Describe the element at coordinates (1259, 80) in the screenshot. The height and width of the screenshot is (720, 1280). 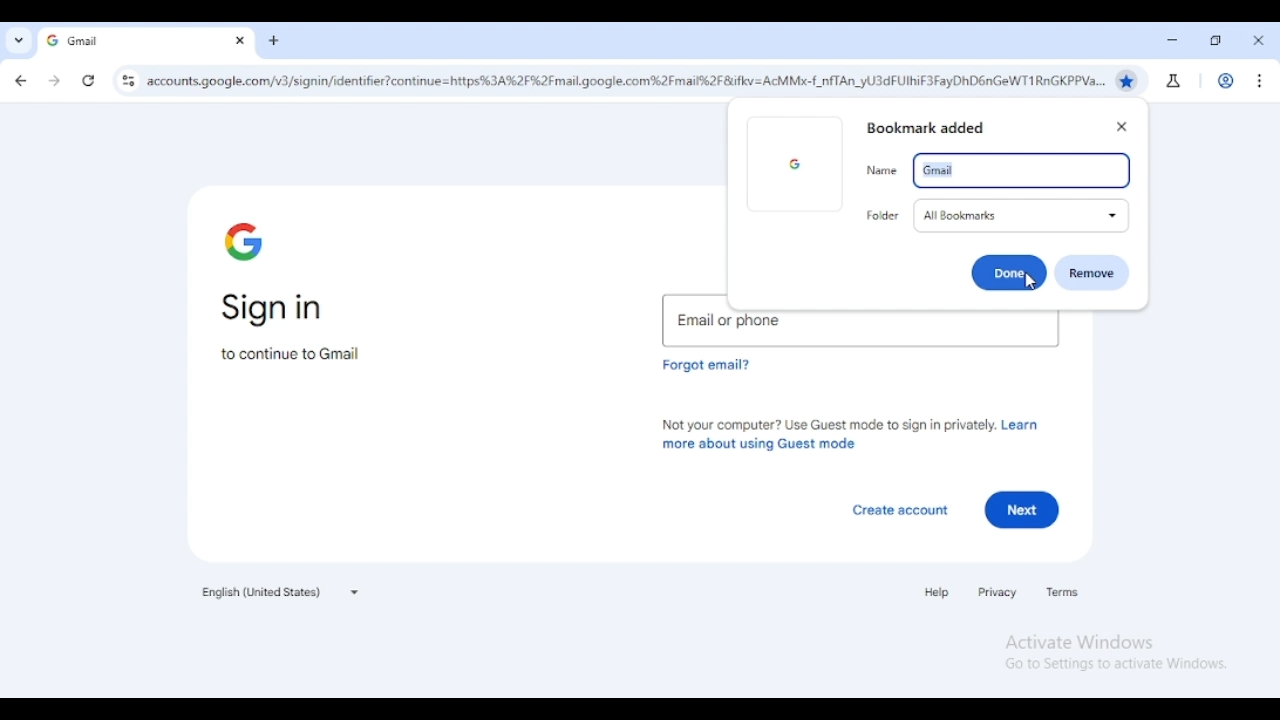
I see `customize and control chromium` at that location.